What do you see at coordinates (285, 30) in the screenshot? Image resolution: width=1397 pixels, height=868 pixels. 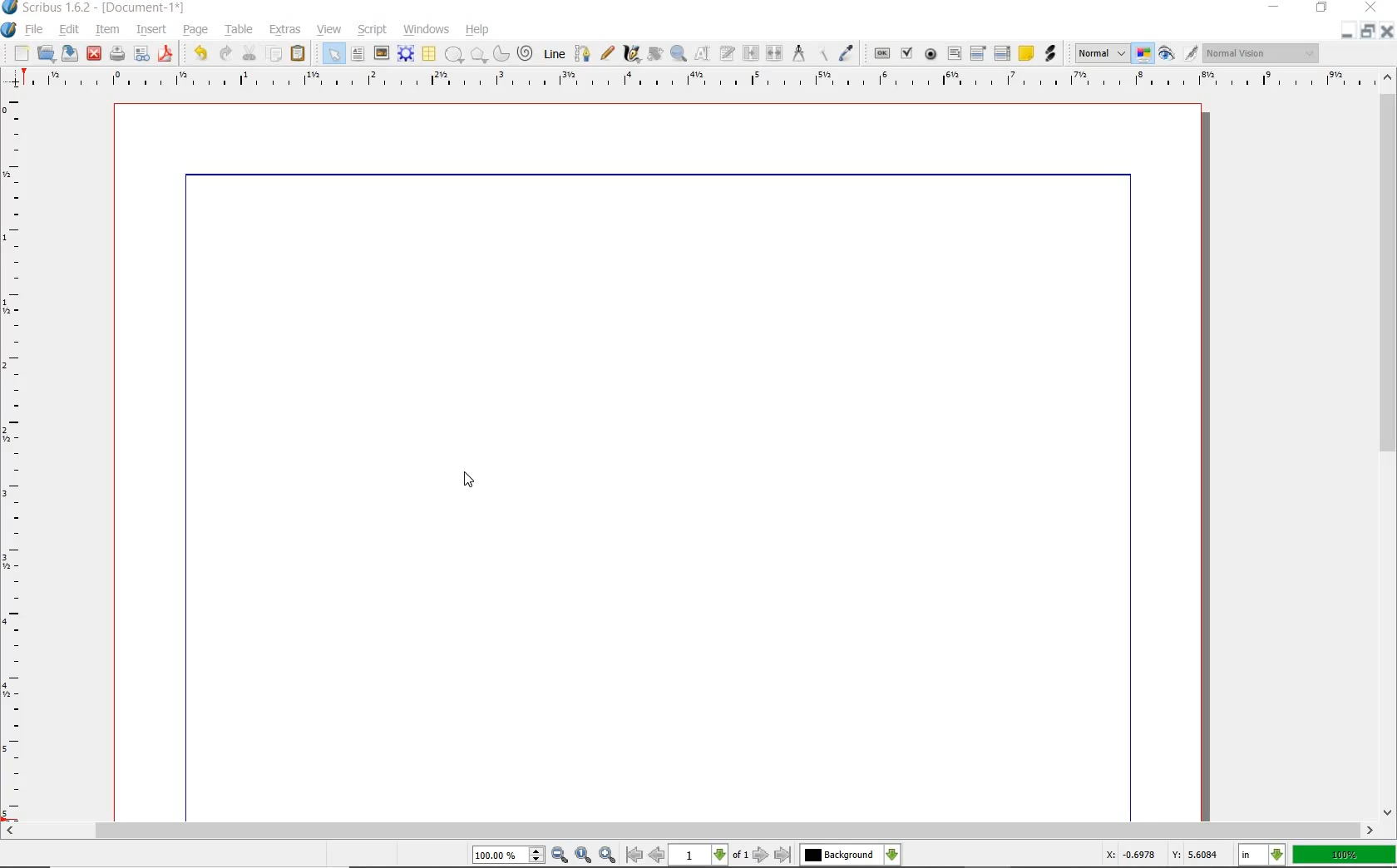 I see `EXTRAS` at bounding box center [285, 30].